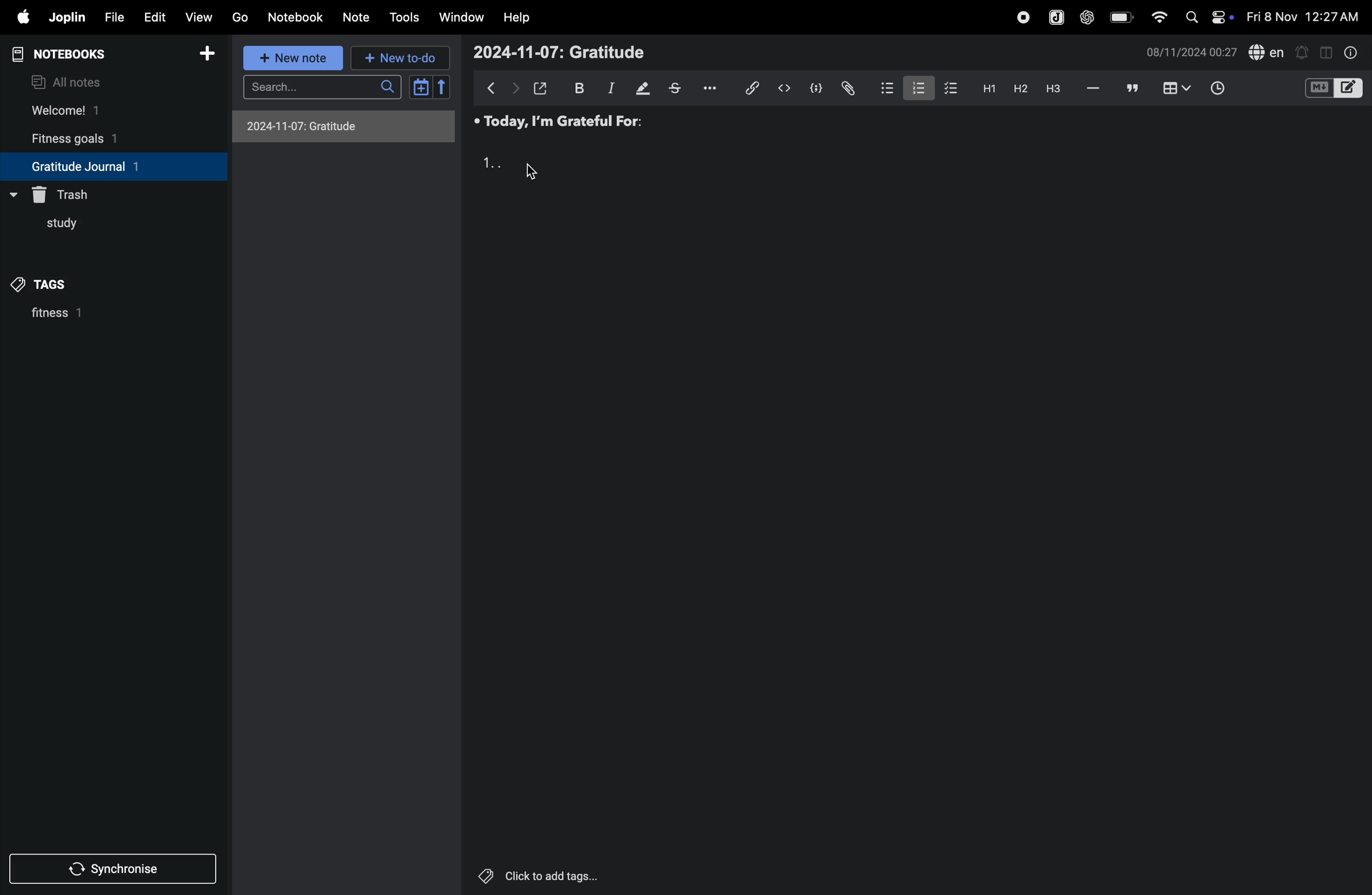 The width and height of the screenshot is (1372, 895). I want to click on window, so click(462, 16).